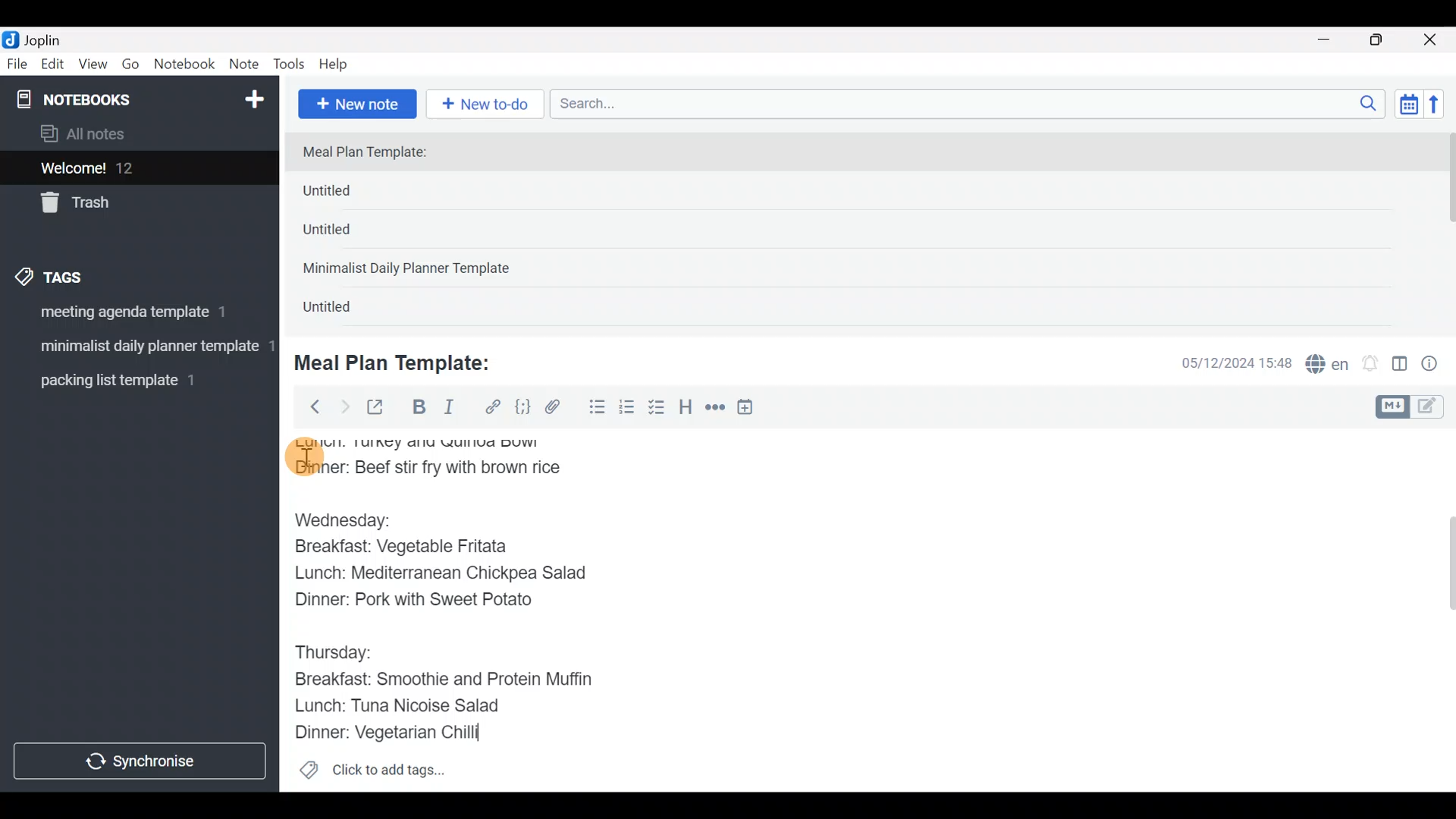 The image size is (1456, 819). I want to click on Tools, so click(290, 65).